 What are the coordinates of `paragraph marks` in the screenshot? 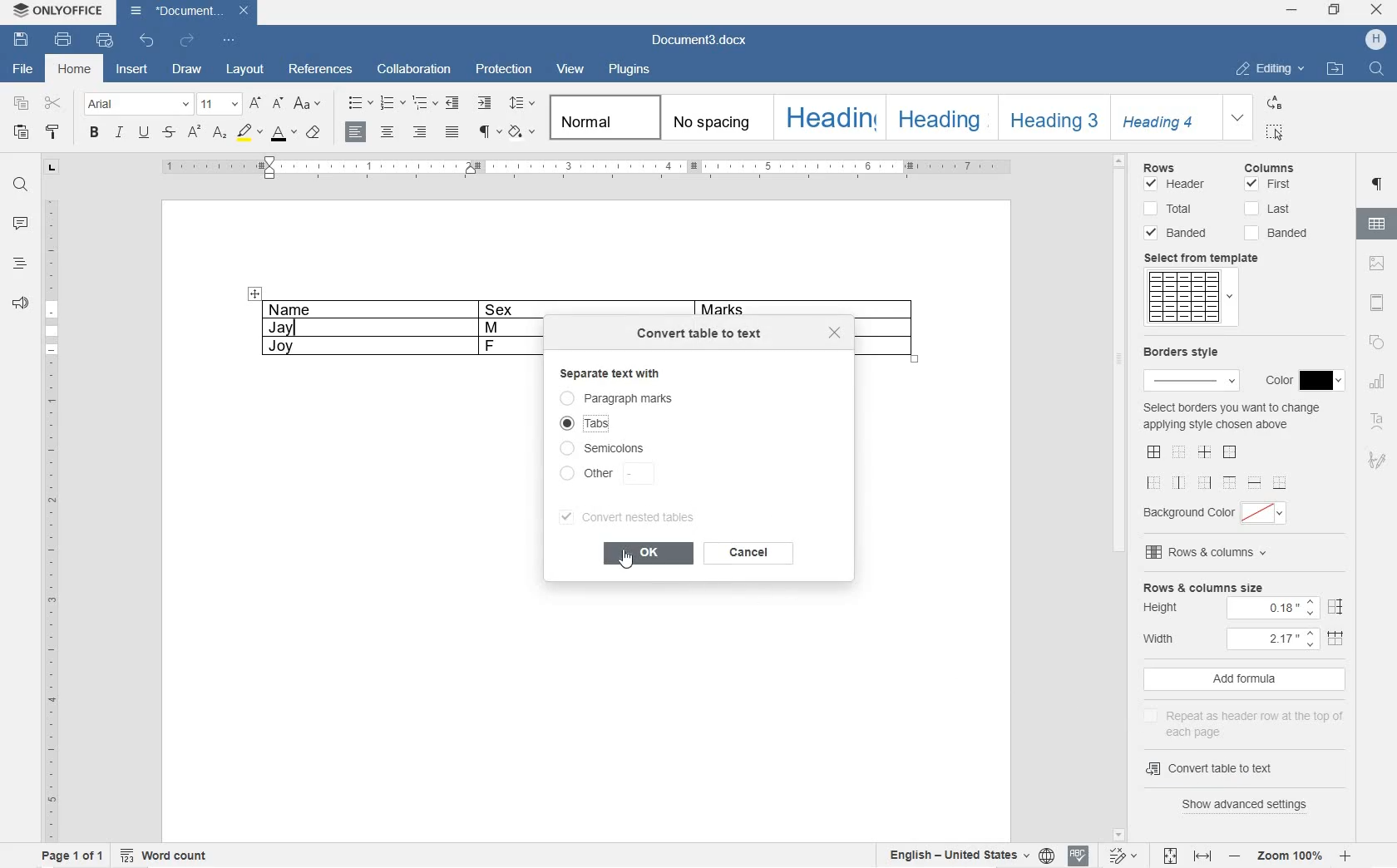 It's located at (646, 397).